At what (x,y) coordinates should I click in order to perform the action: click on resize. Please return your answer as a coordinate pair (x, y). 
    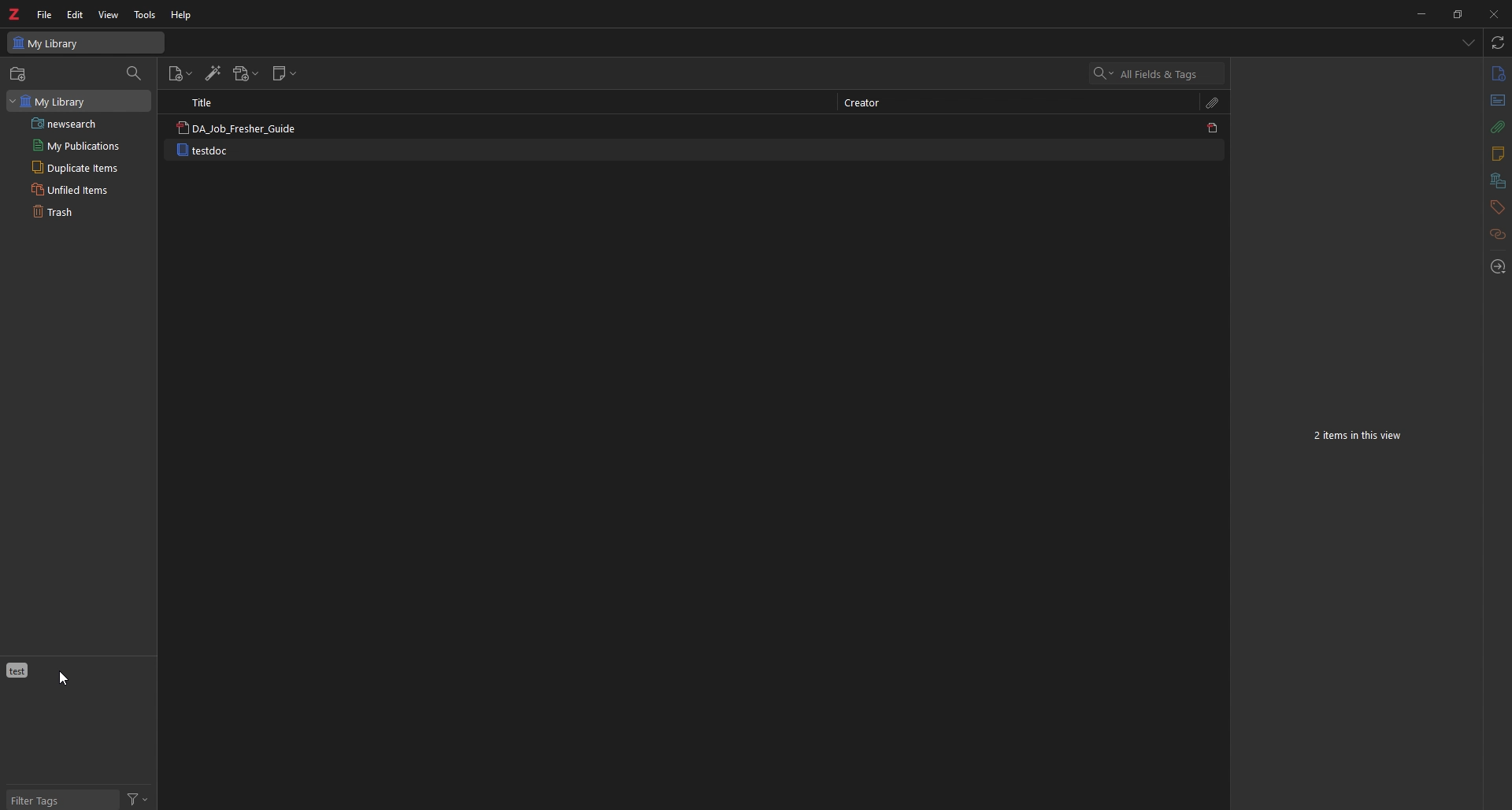
    Looking at the image, I should click on (1457, 13).